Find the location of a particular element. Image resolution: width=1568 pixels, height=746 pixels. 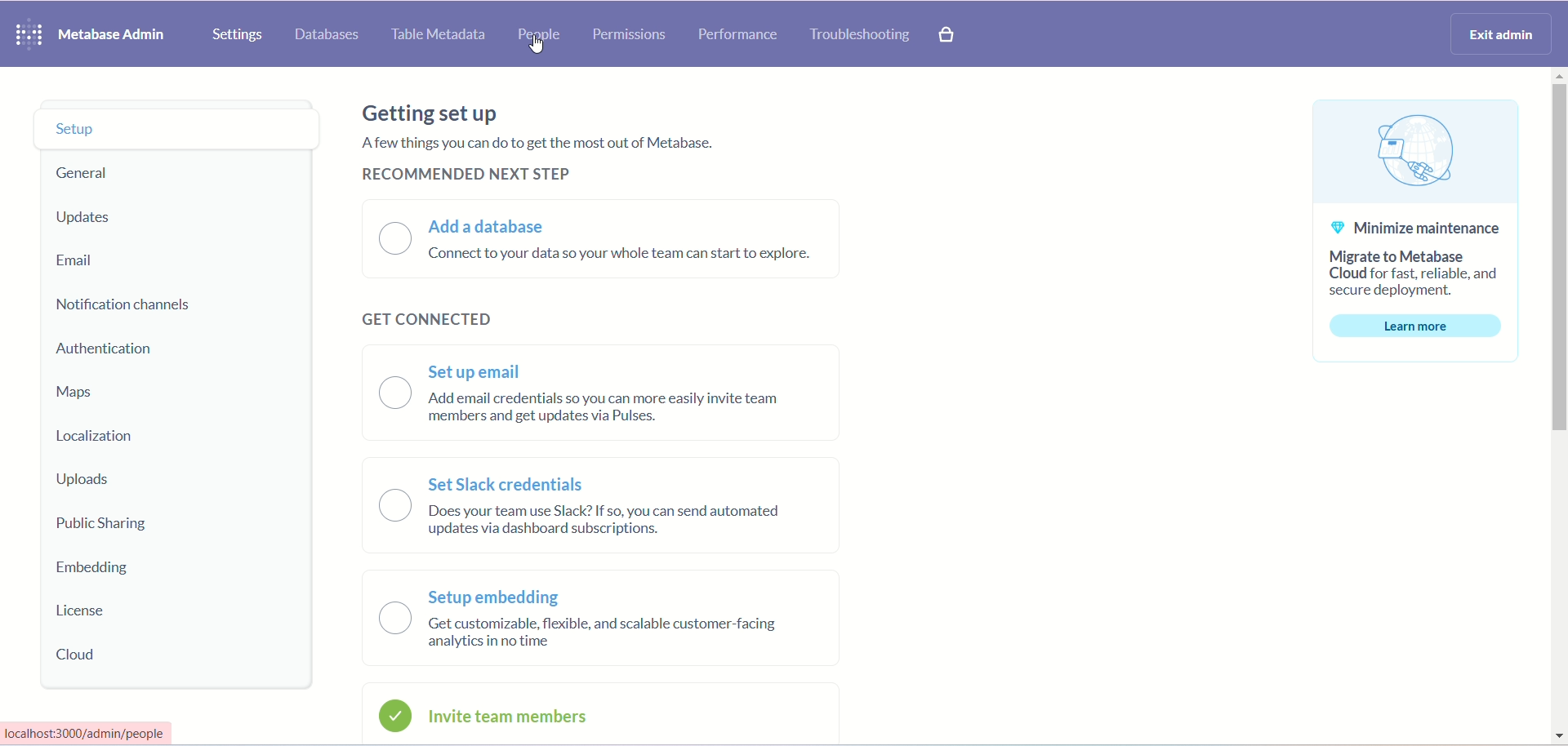

toggle button is located at coordinates (376, 557).